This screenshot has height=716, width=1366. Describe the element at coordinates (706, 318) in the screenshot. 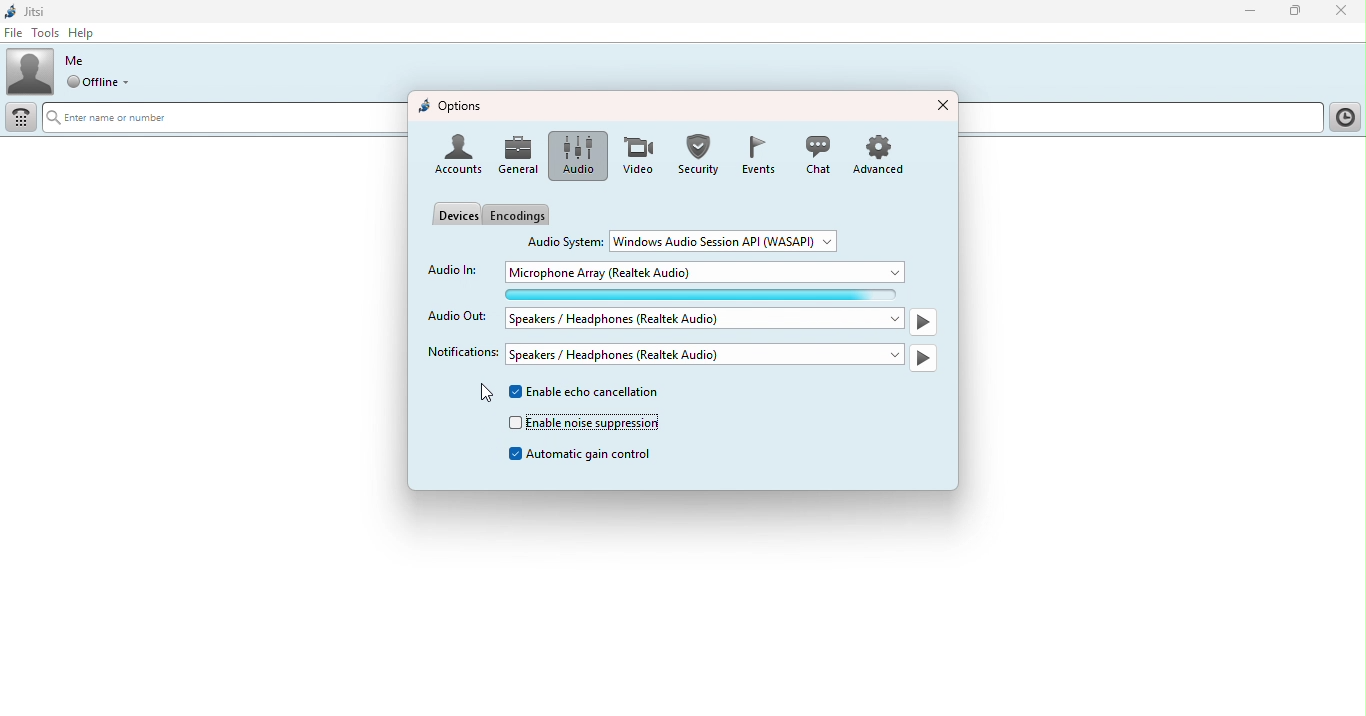

I see `Speakers/Headphones (Realtek Audio)` at that location.